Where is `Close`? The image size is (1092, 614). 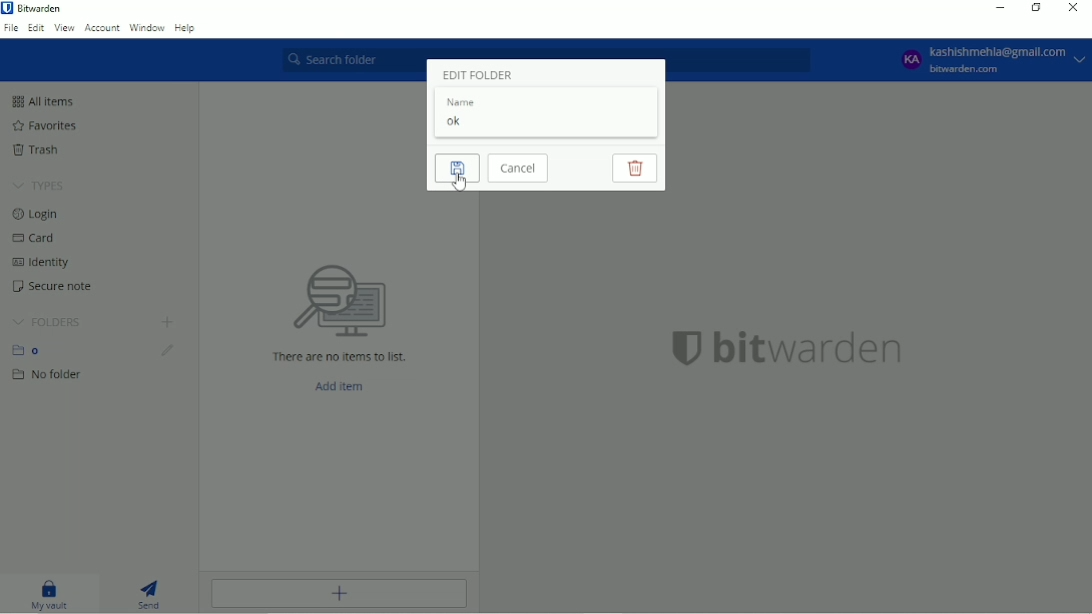 Close is located at coordinates (1074, 8).